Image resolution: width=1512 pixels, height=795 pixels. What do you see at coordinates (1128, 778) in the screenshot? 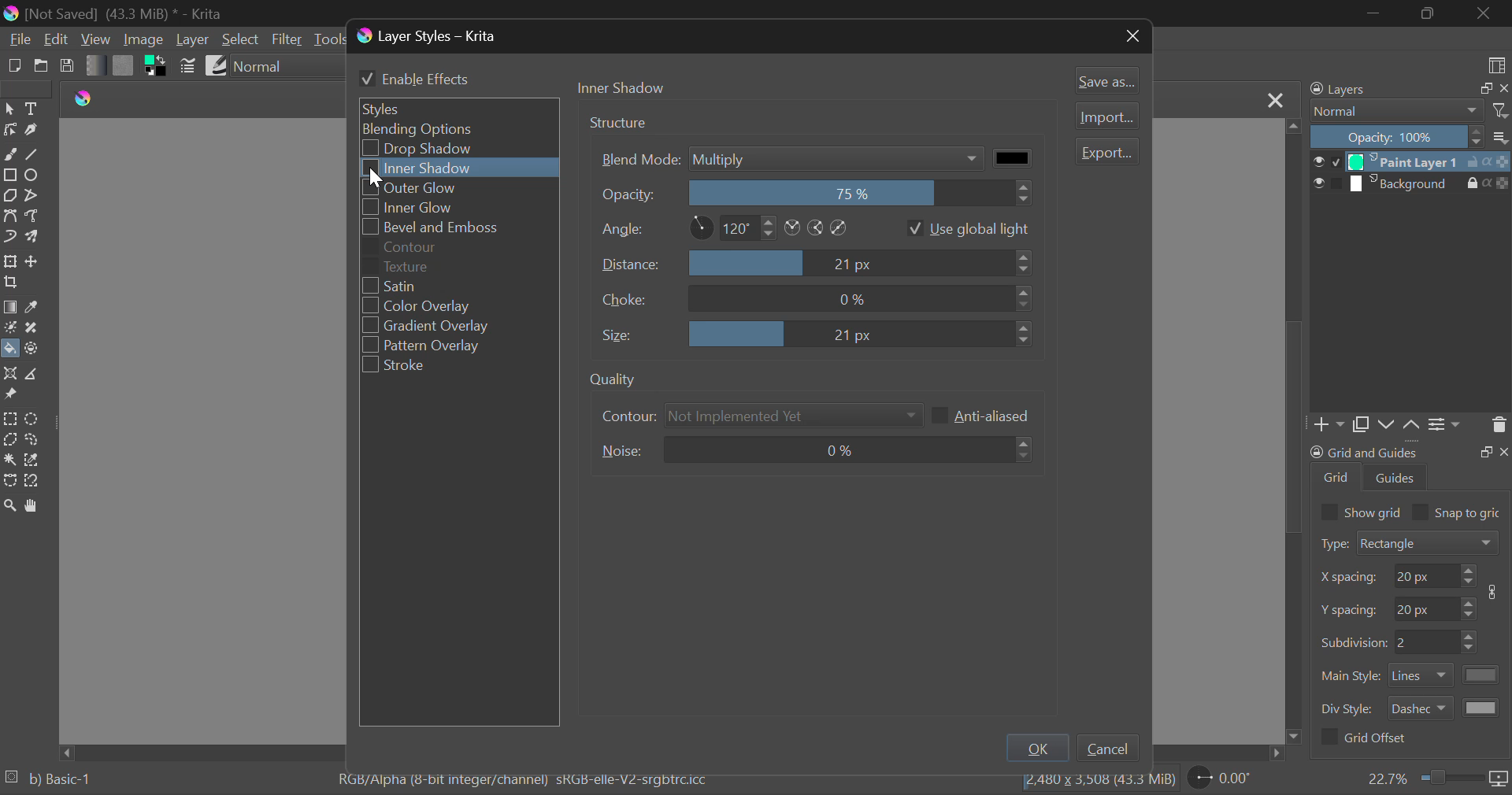
I see `file size` at bounding box center [1128, 778].